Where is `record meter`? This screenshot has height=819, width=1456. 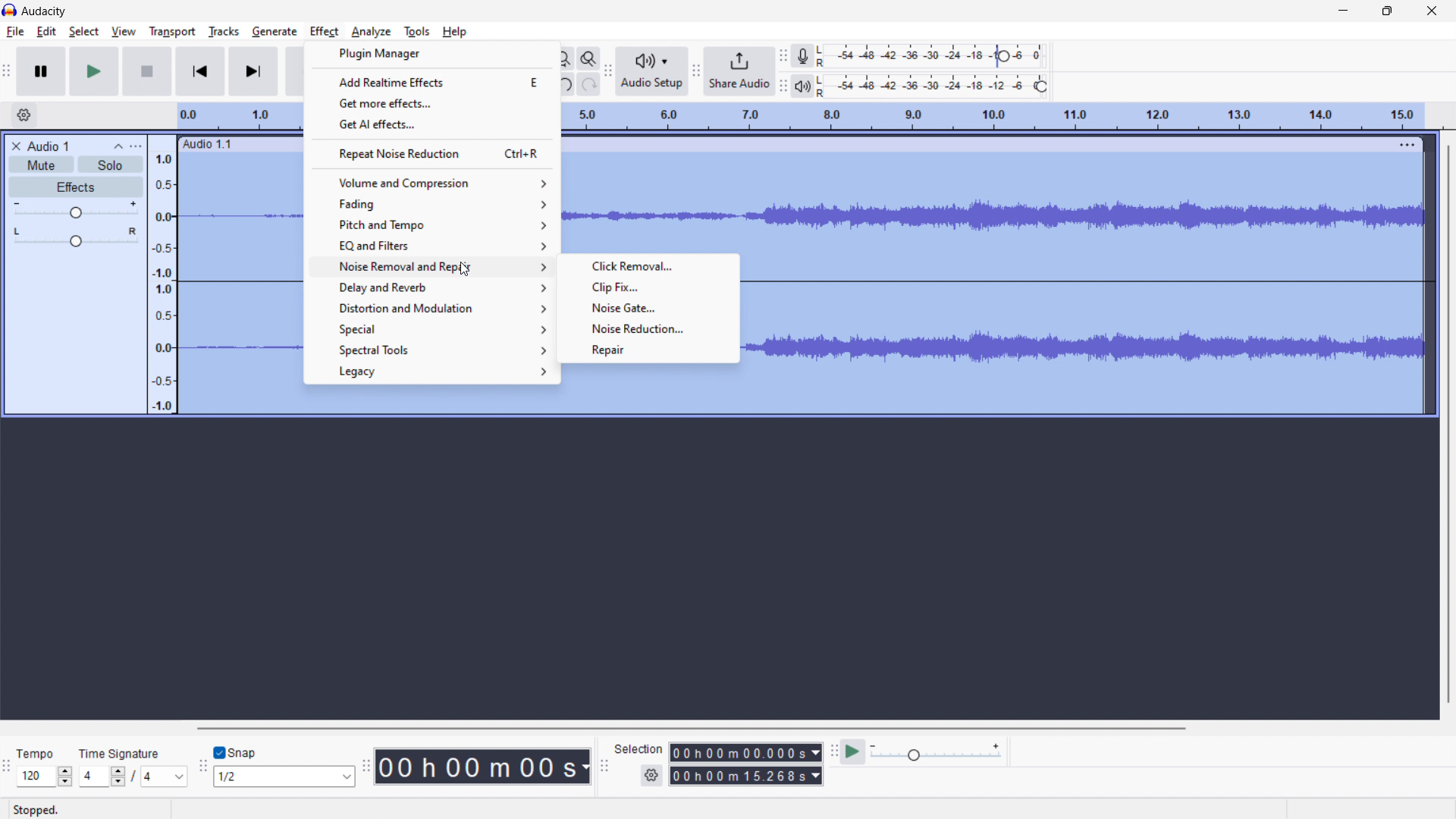 record meter is located at coordinates (935, 55).